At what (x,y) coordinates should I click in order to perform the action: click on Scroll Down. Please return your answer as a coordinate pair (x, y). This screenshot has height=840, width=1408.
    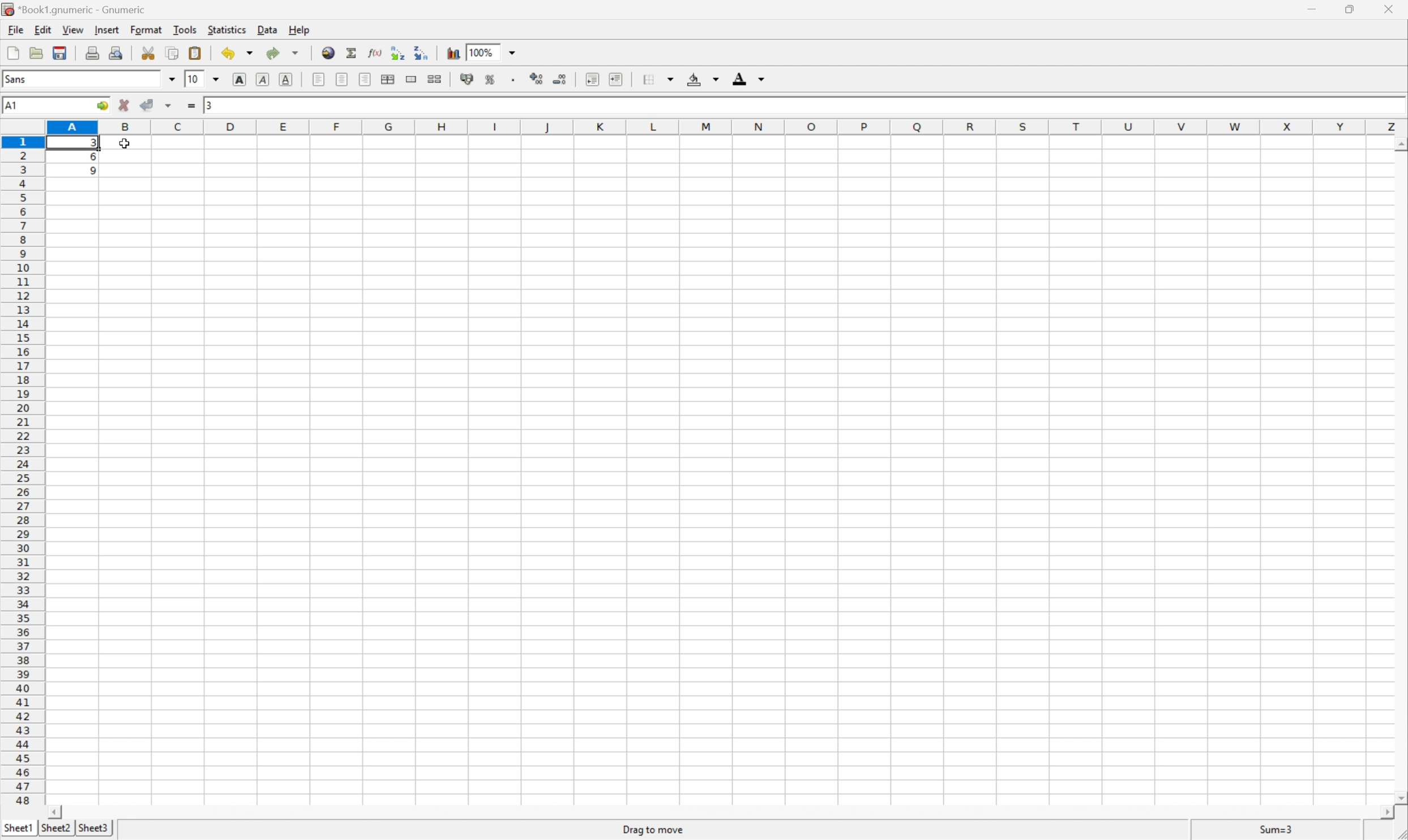
    Looking at the image, I should click on (1399, 797).